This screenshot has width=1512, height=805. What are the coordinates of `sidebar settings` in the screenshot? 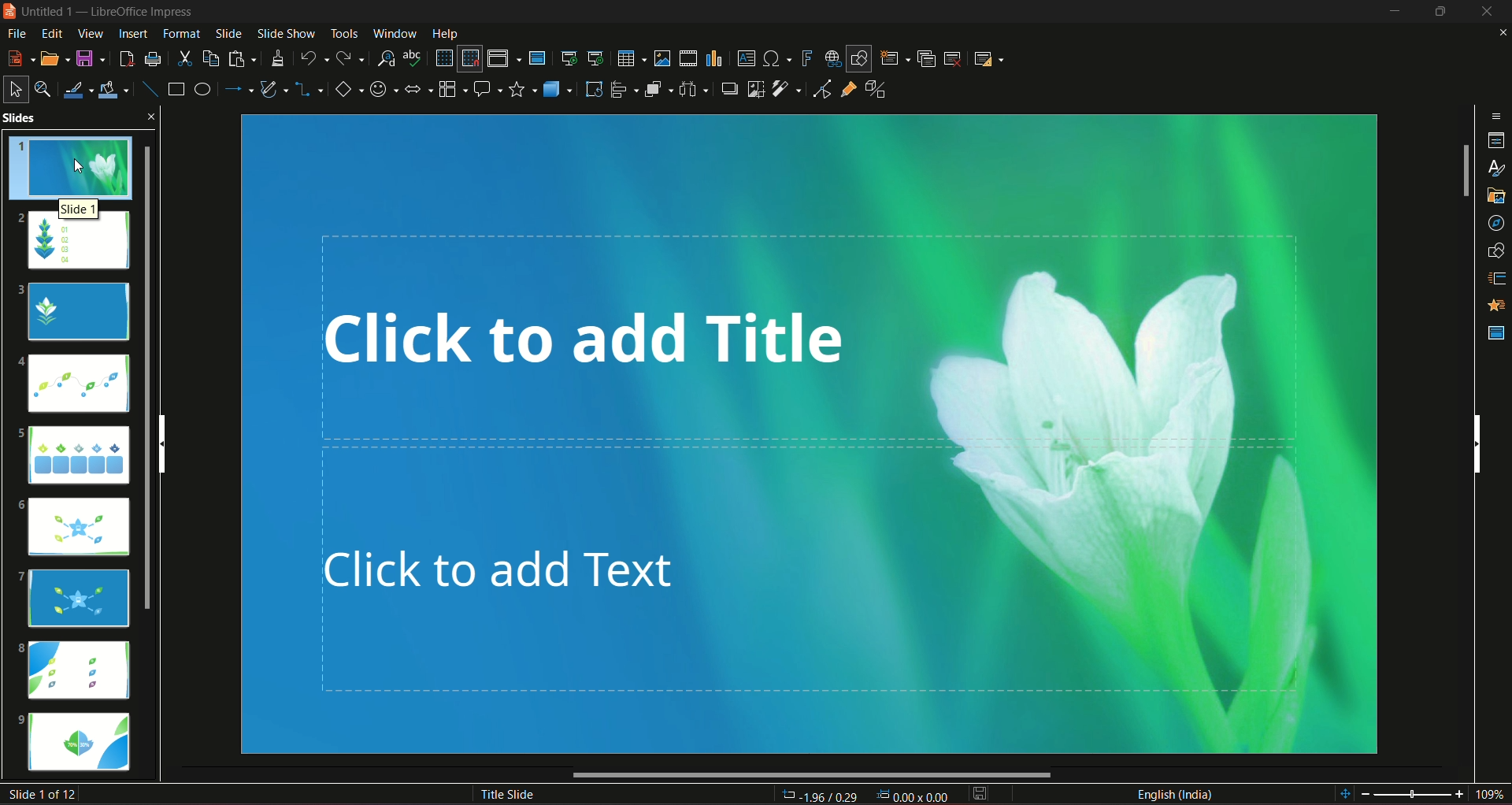 It's located at (1496, 114).